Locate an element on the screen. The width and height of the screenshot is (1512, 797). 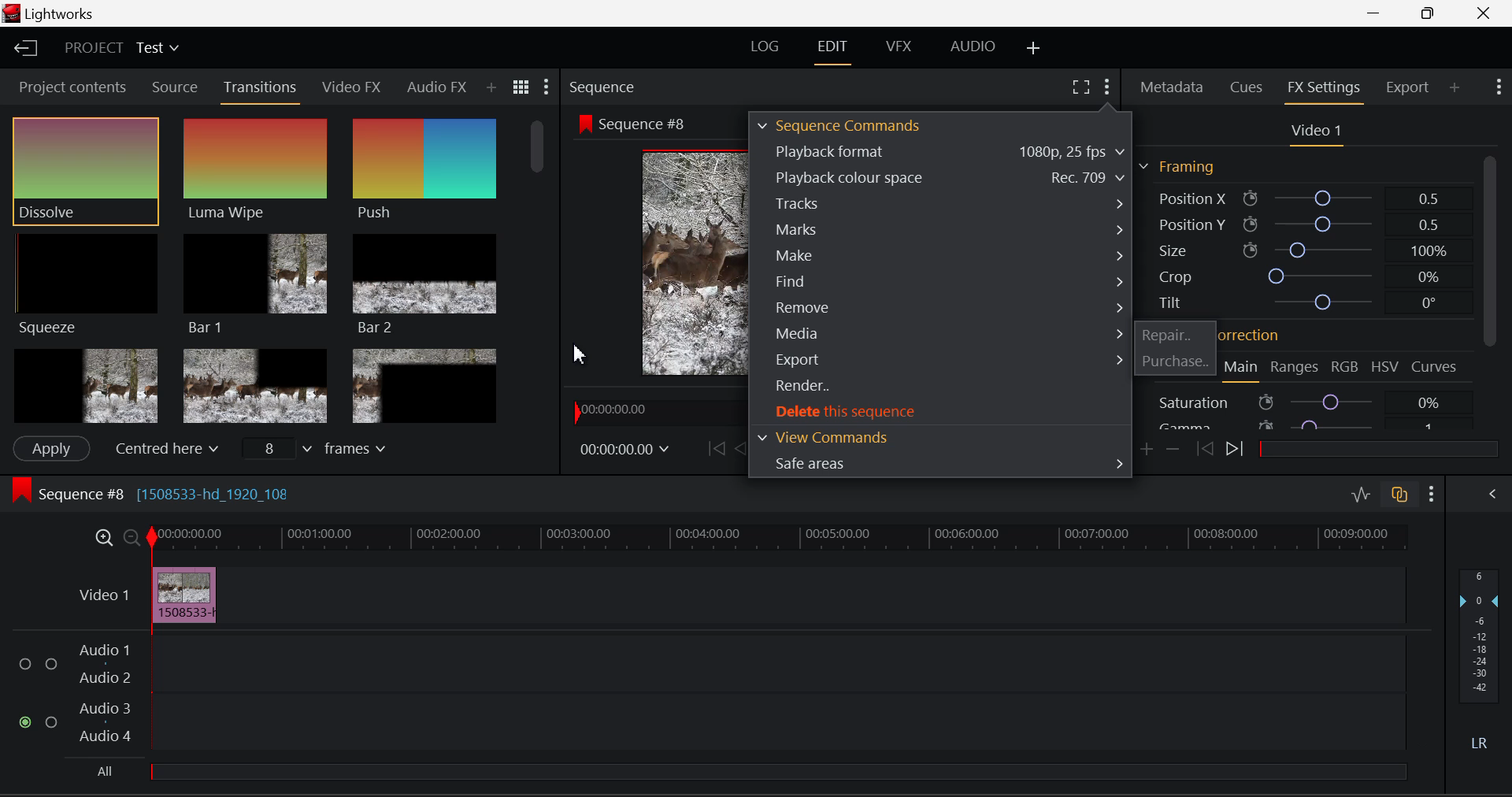
Source is located at coordinates (175, 89).